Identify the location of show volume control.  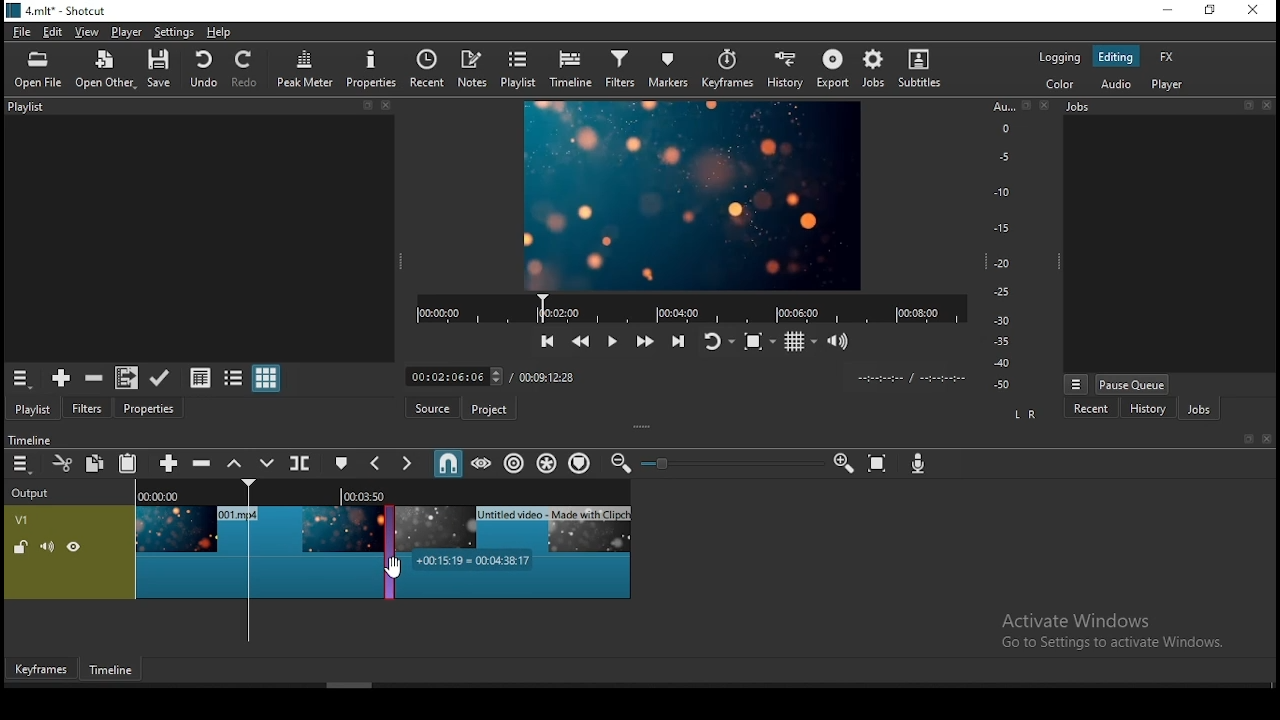
(837, 343).